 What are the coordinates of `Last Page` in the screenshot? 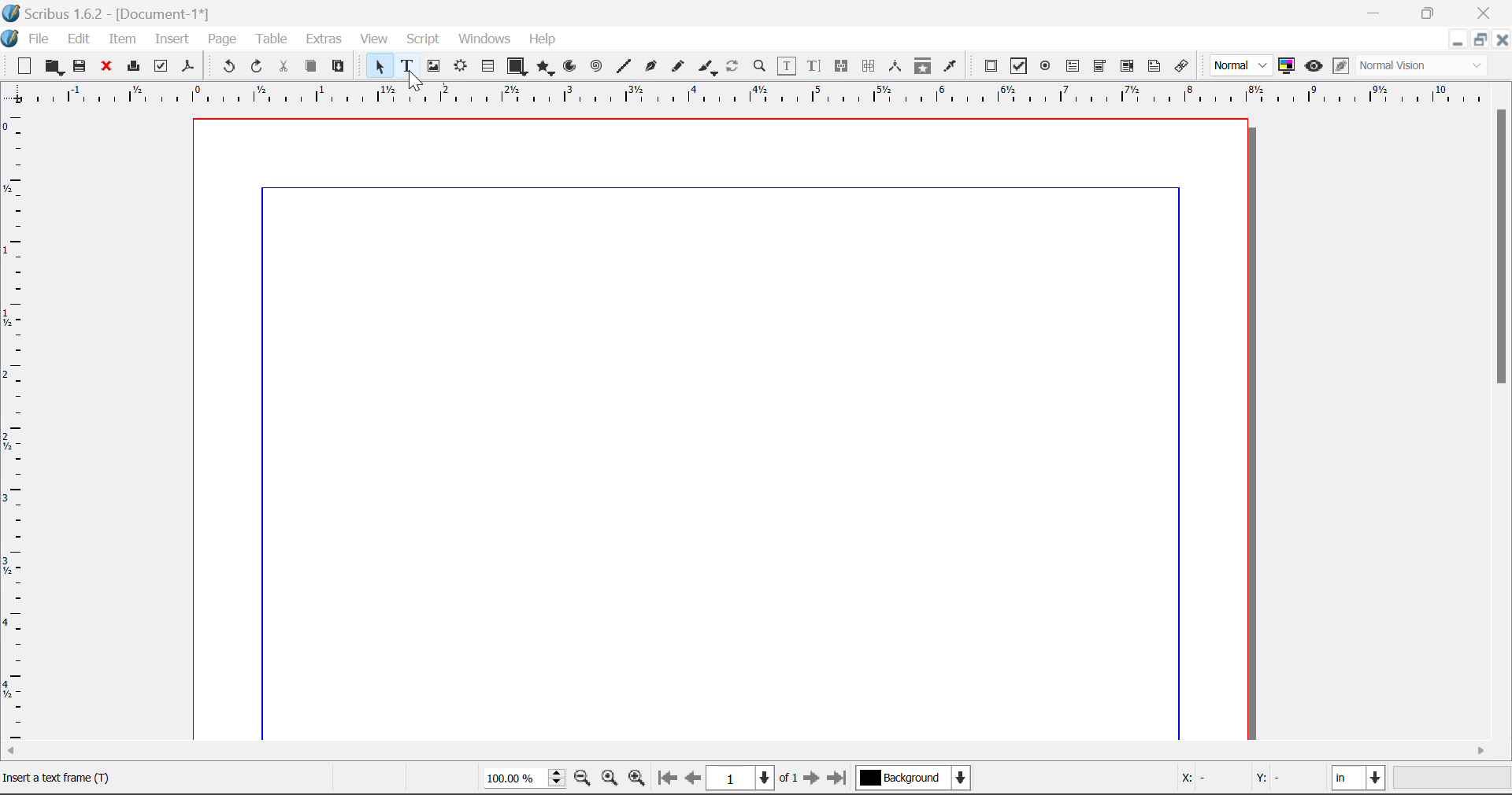 It's located at (839, 780).